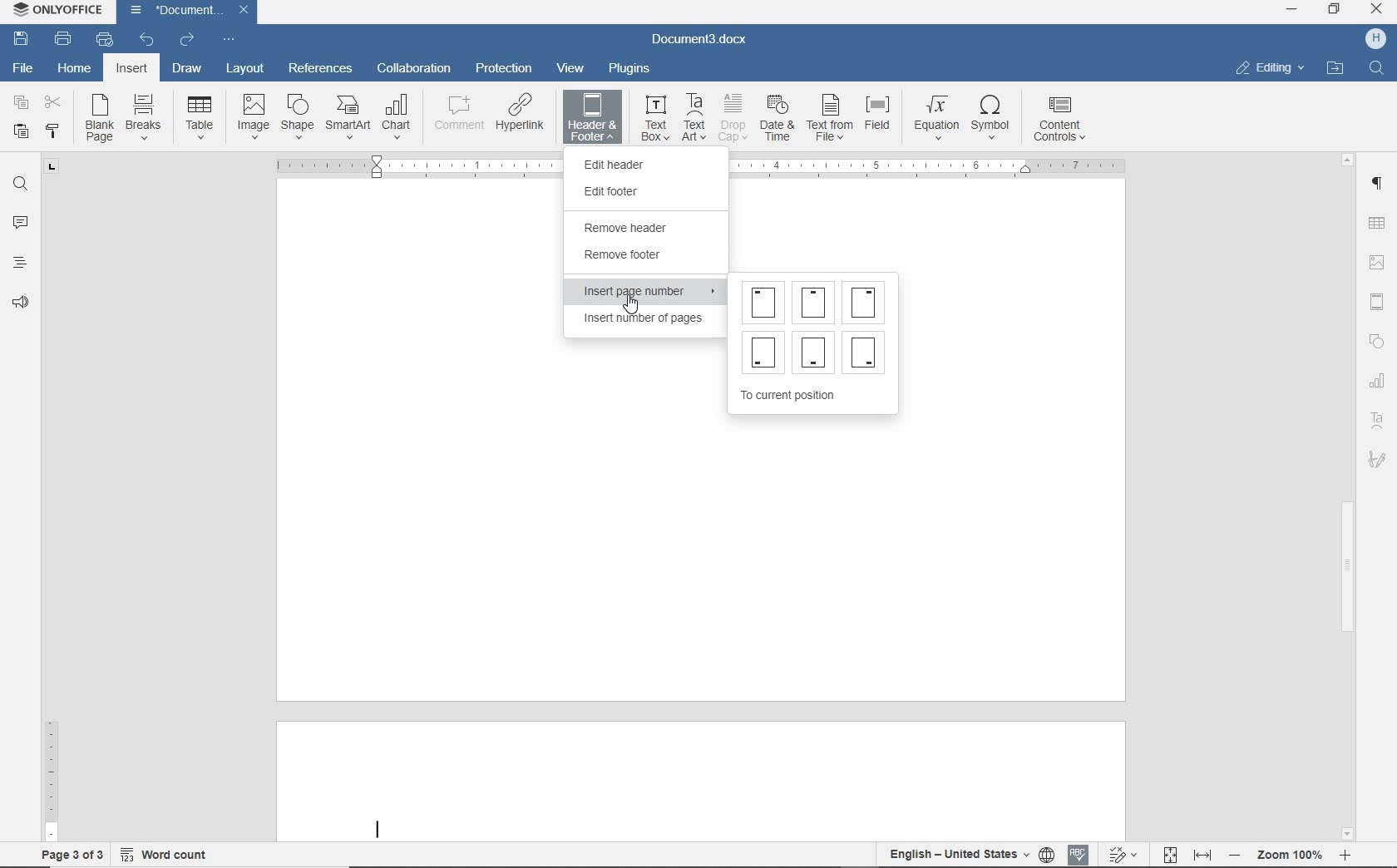 The image size is (1397, 868). I want to click on DROP CAP, so click(734, 118).